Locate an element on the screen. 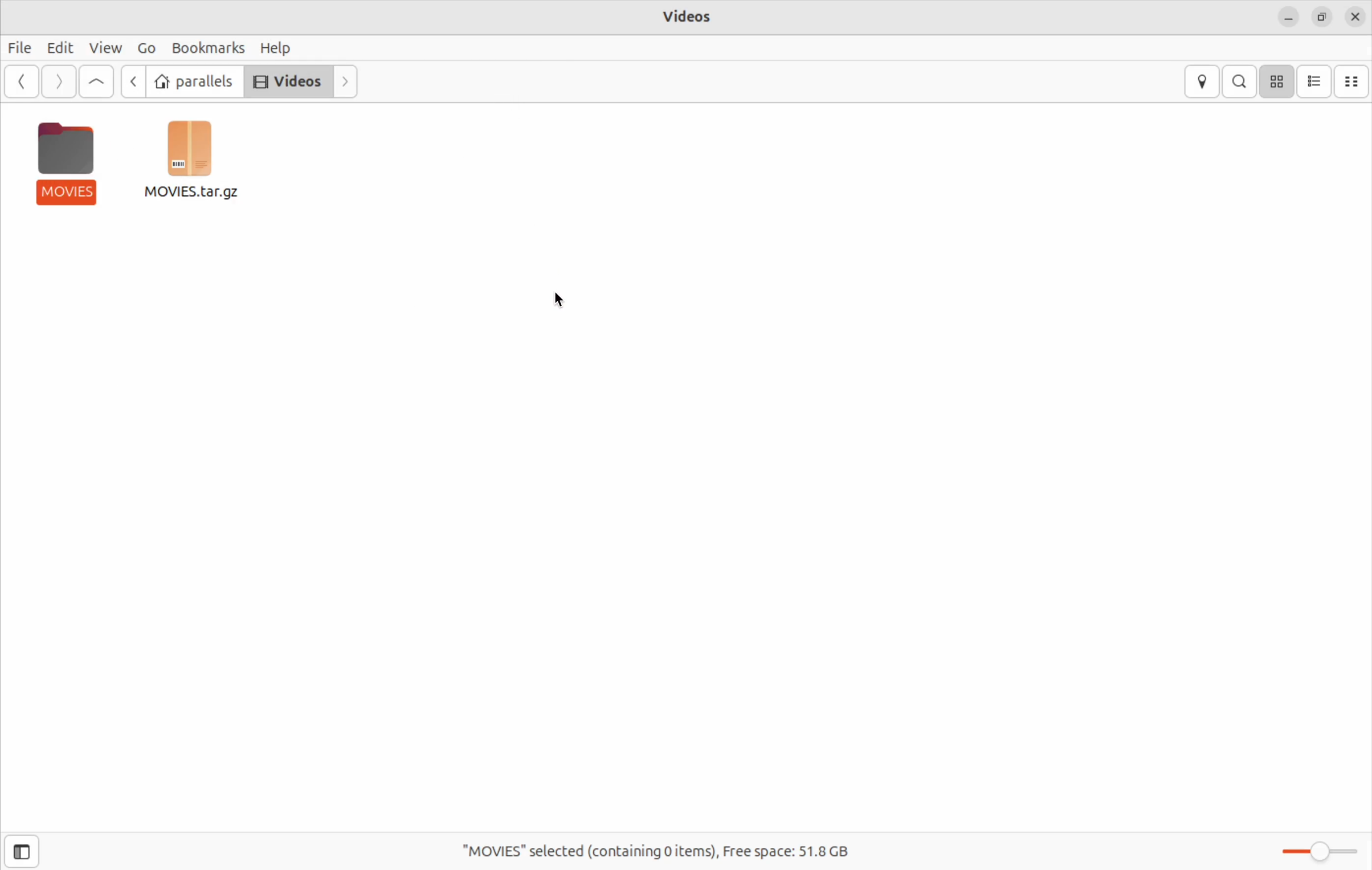 The width and height of the screenshot is (1372, 870). Go up is located at coordinates (97, 81).